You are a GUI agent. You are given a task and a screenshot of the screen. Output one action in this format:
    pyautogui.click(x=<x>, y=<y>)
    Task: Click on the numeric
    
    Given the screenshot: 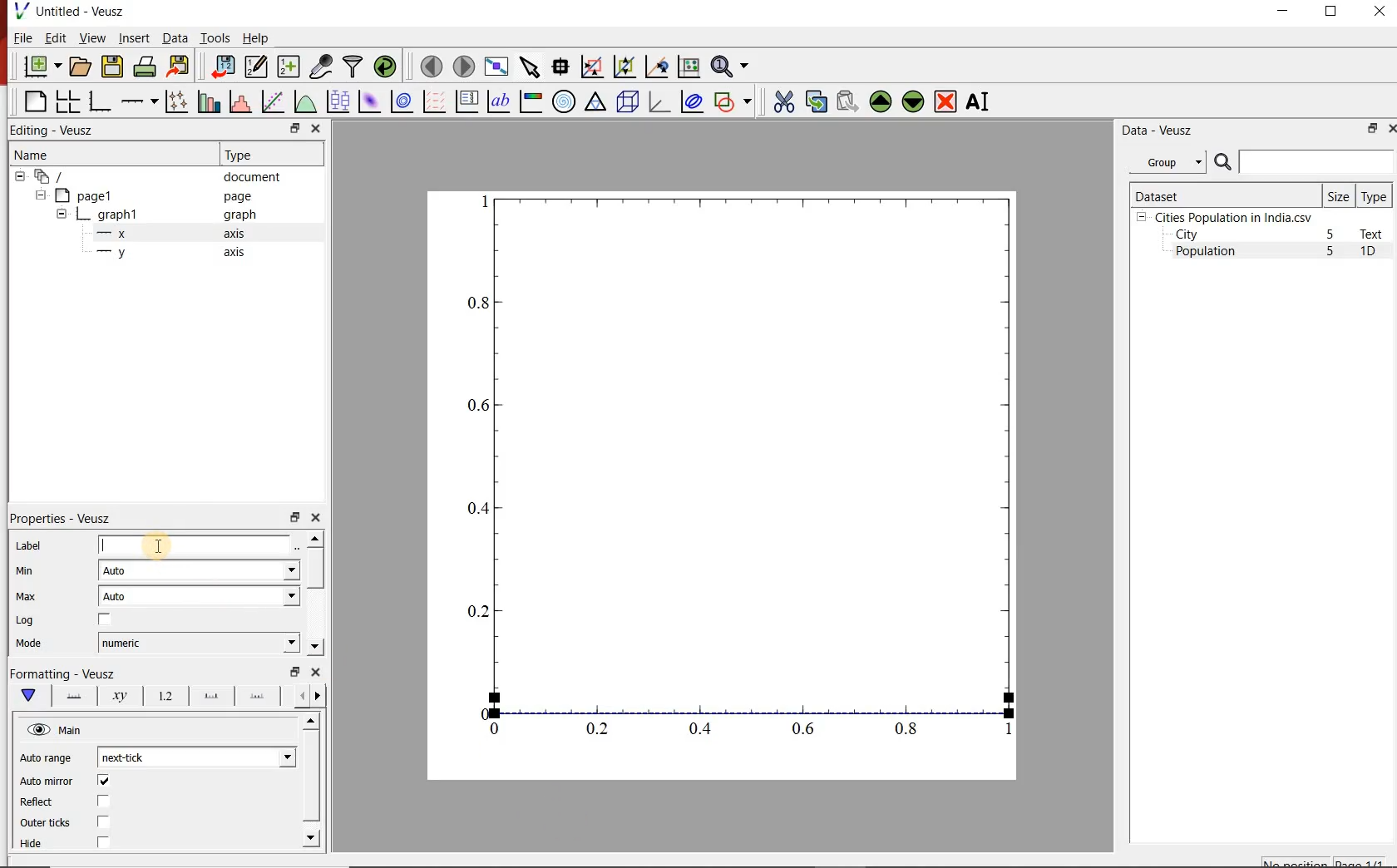 What is the action you would take?
    pyautogui.click(x=198, y=643)
    